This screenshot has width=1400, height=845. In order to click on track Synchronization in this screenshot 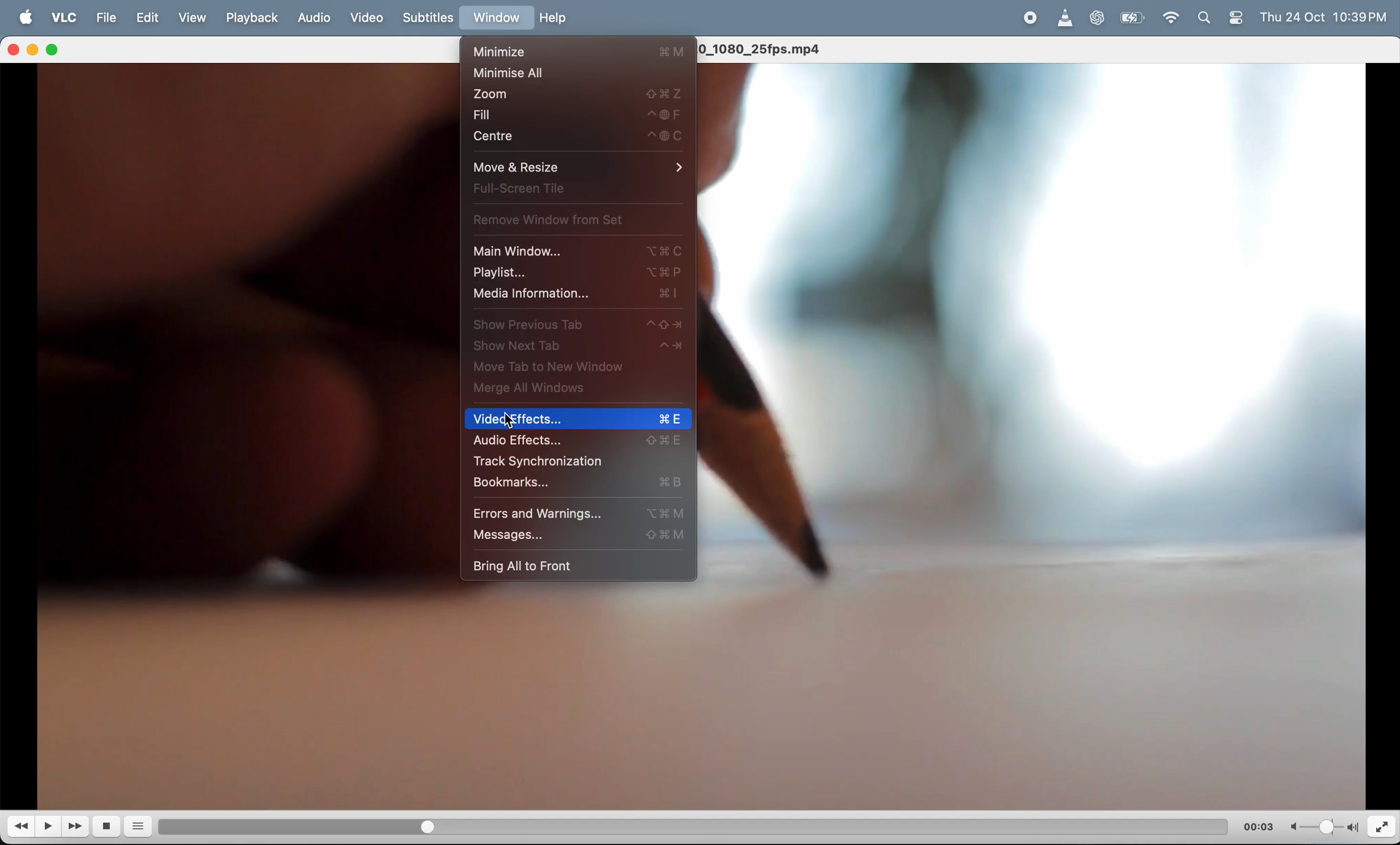, I will do `click(574, 462)`.